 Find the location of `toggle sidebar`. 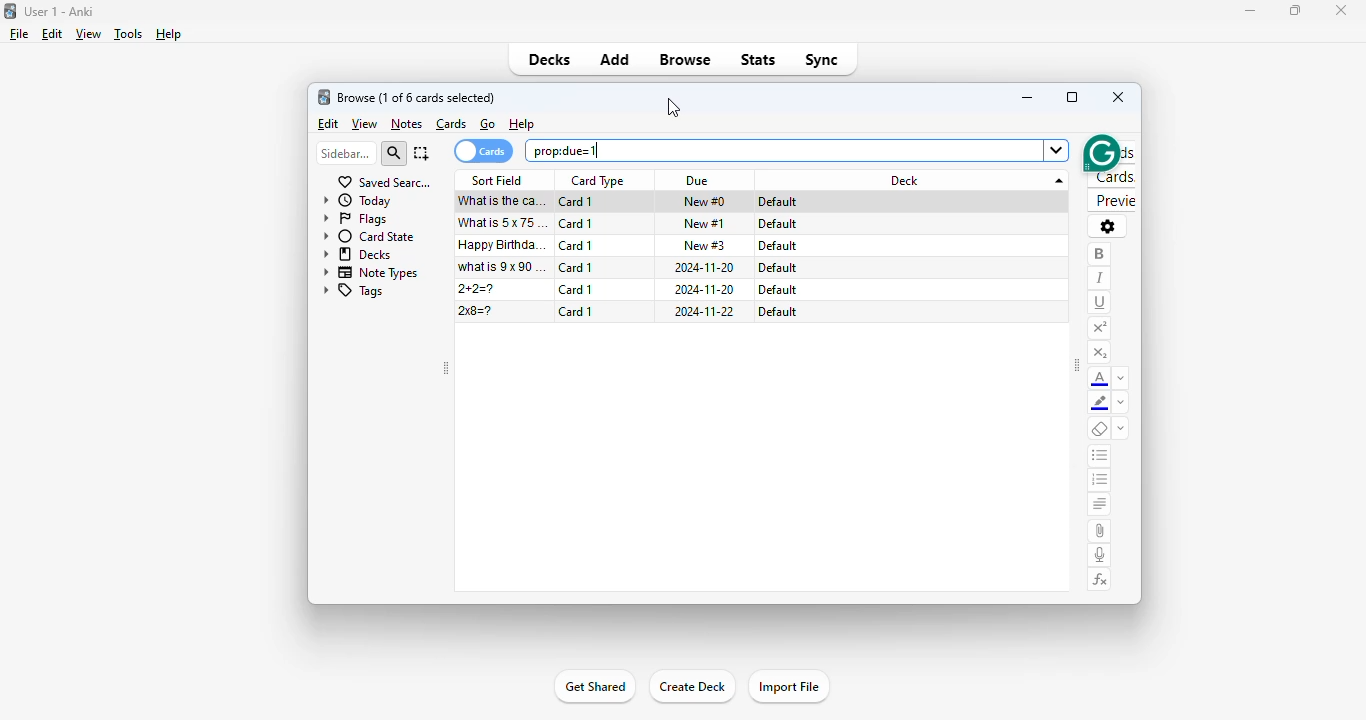

toggle sidebar is located at coordinates (1077, 365).